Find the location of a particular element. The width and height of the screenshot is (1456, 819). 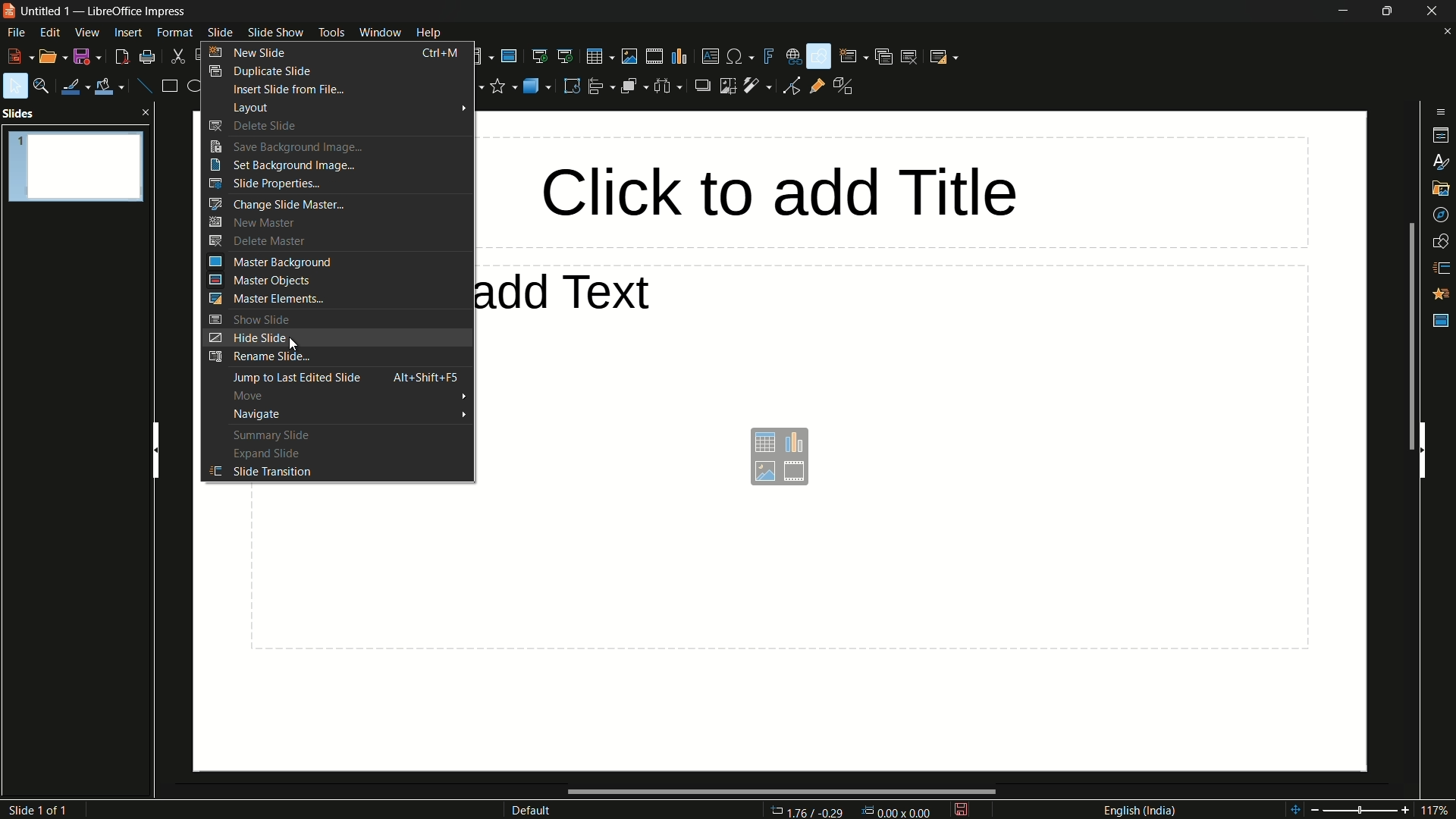

slide number is located at coordinates (36, 810).